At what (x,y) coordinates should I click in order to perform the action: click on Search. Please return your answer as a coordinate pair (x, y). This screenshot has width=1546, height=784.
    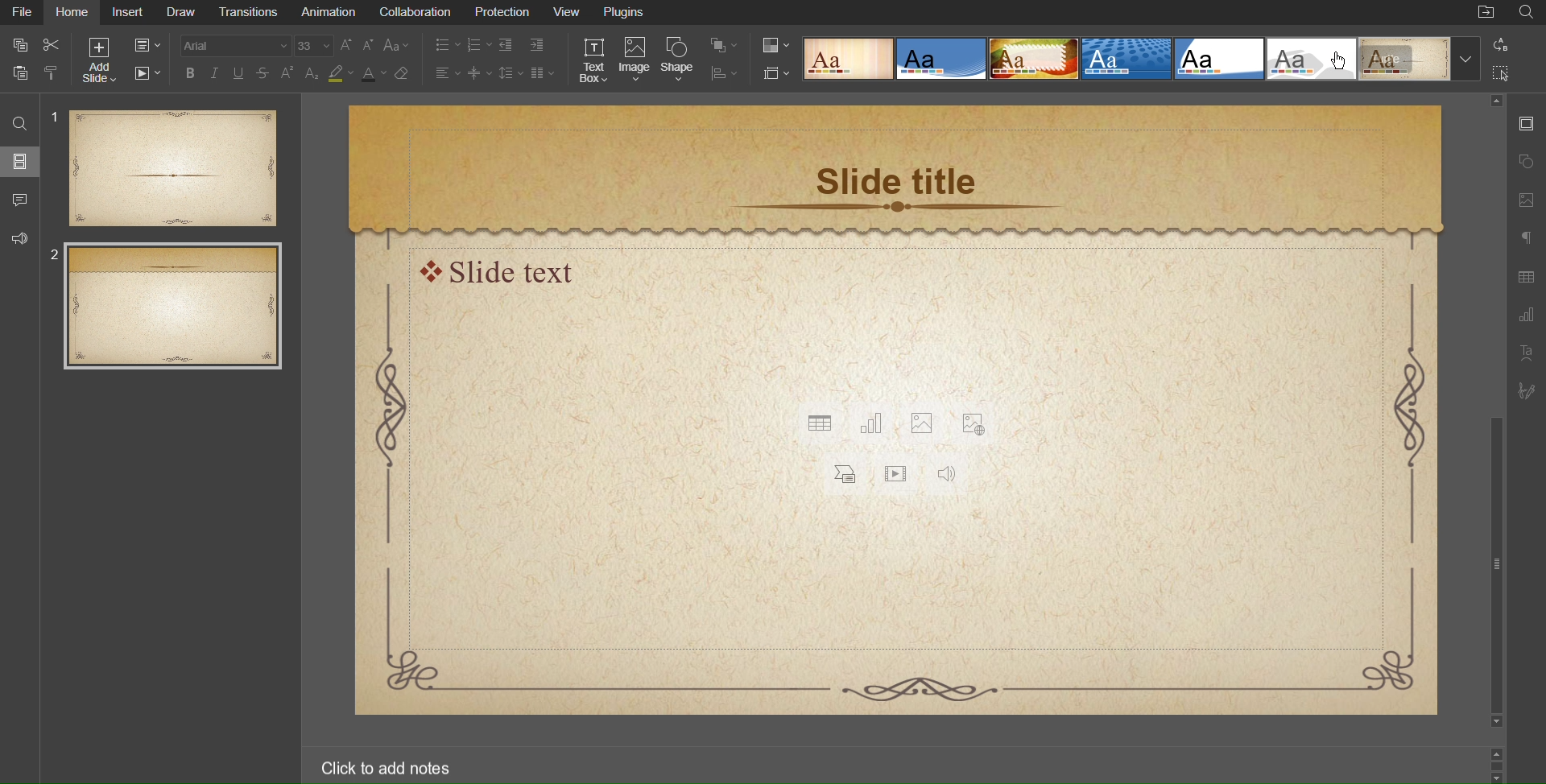
    Looking at the image, I should click on (1527, 12).